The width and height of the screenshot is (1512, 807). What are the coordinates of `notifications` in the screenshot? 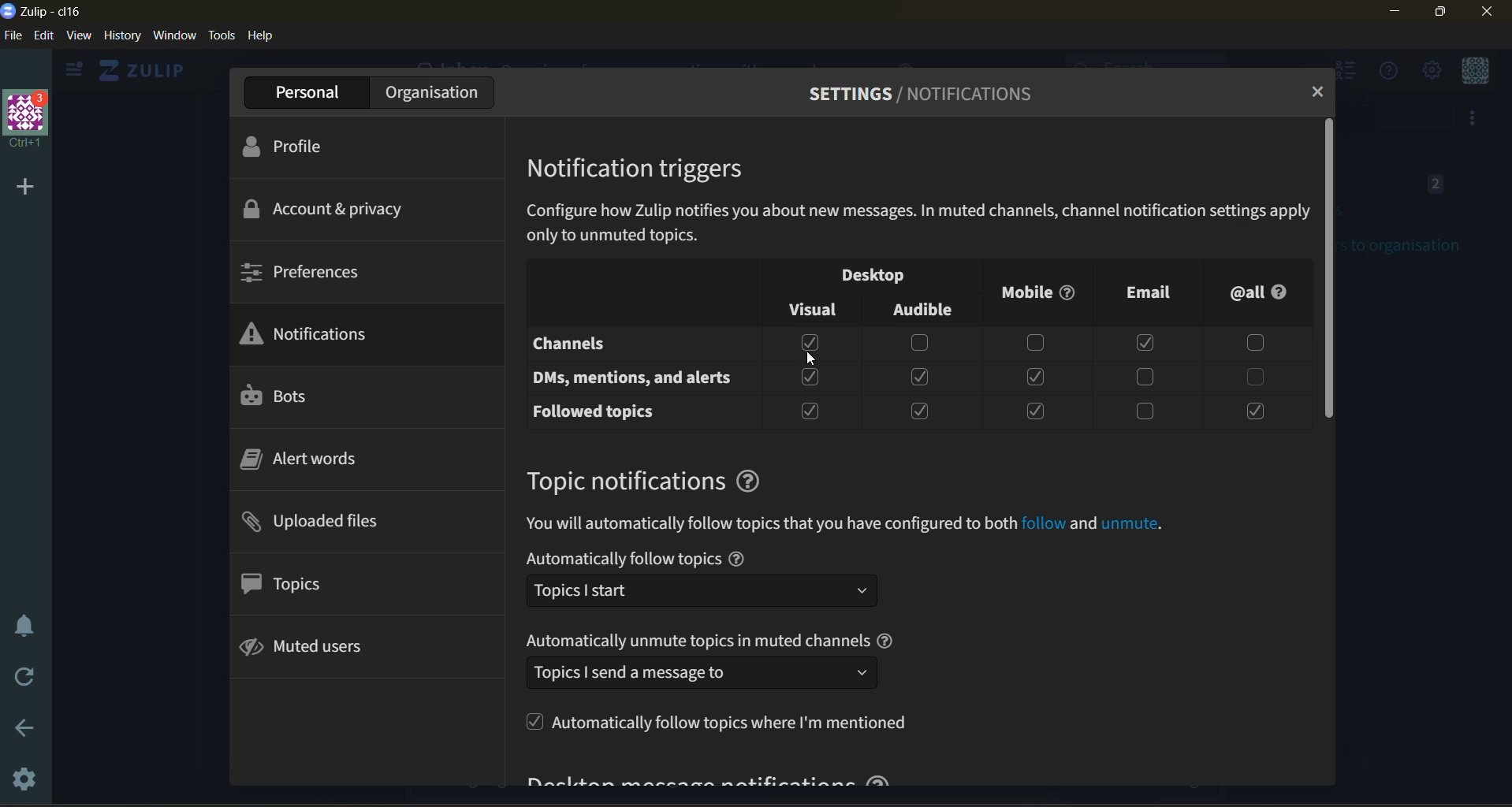 It's located at (318, 335).